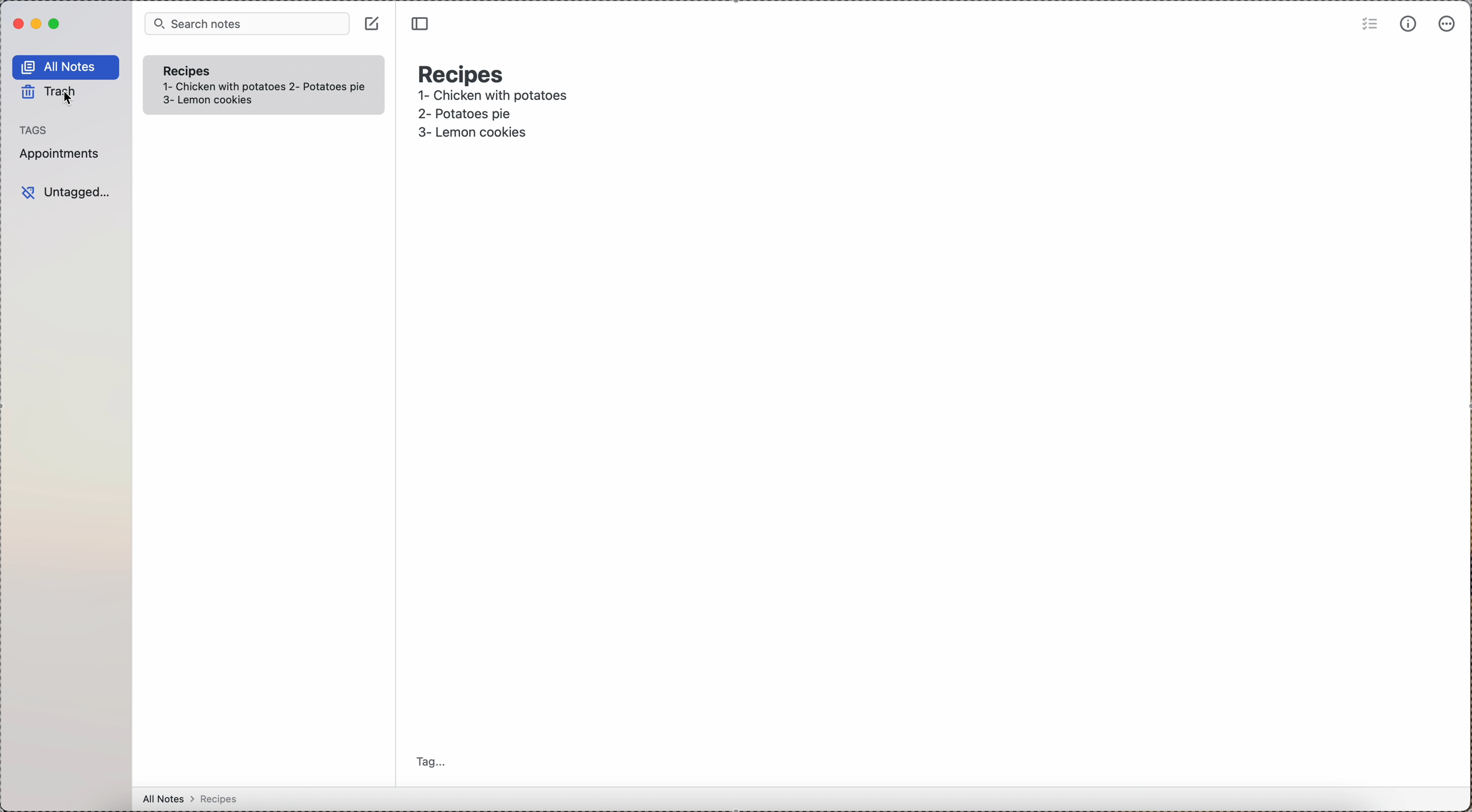 Image resolution: width=1472 pixels, height=812 pixels. Describe the element at coordinates (36, 25) in the screenshot. I see `minimize Simplenote` at that location.